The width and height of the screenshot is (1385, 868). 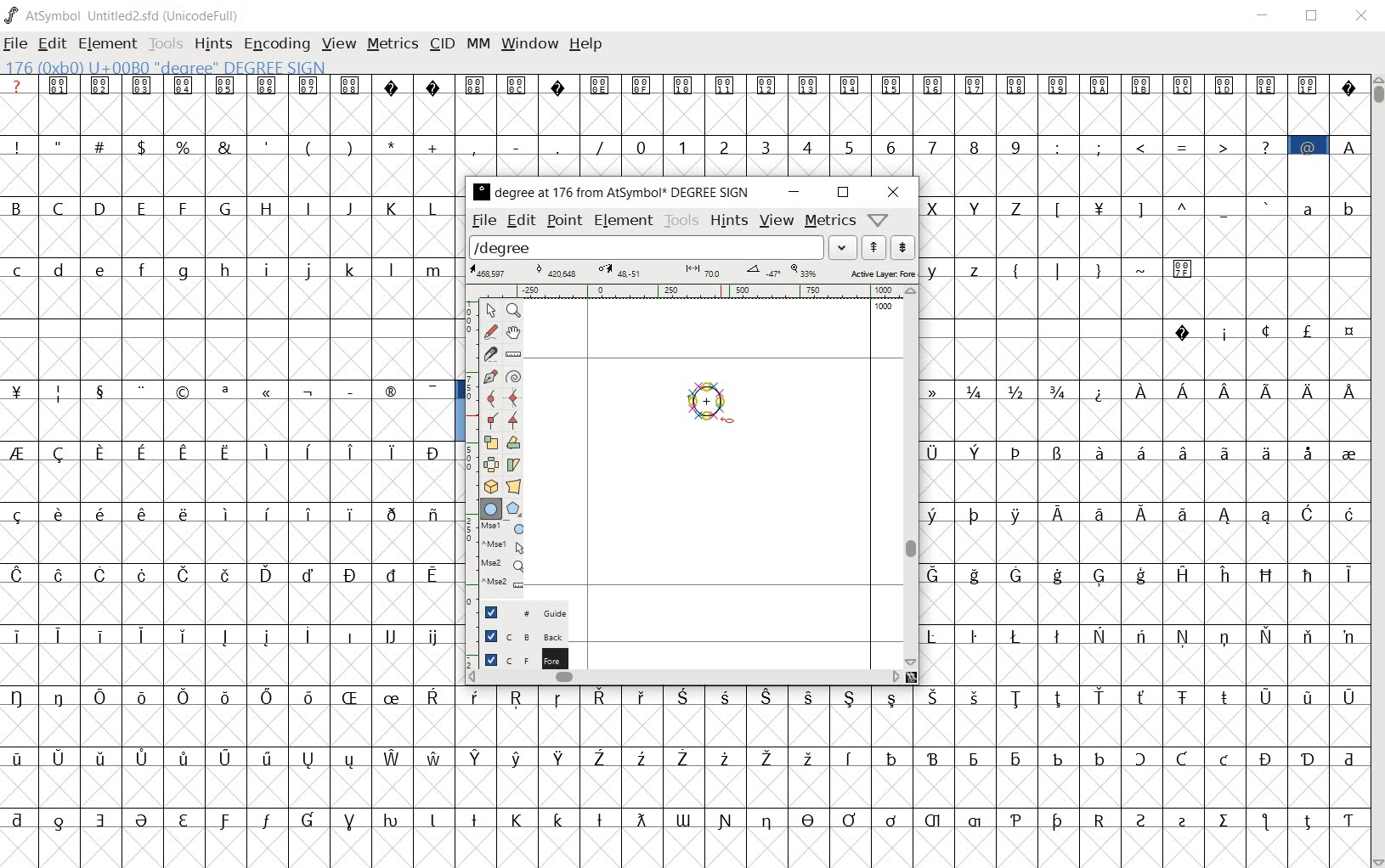 What do you see at coordinates (226, 479) in the screenshot?
I see `empty glyph slots` at bounding box center [226, 479].